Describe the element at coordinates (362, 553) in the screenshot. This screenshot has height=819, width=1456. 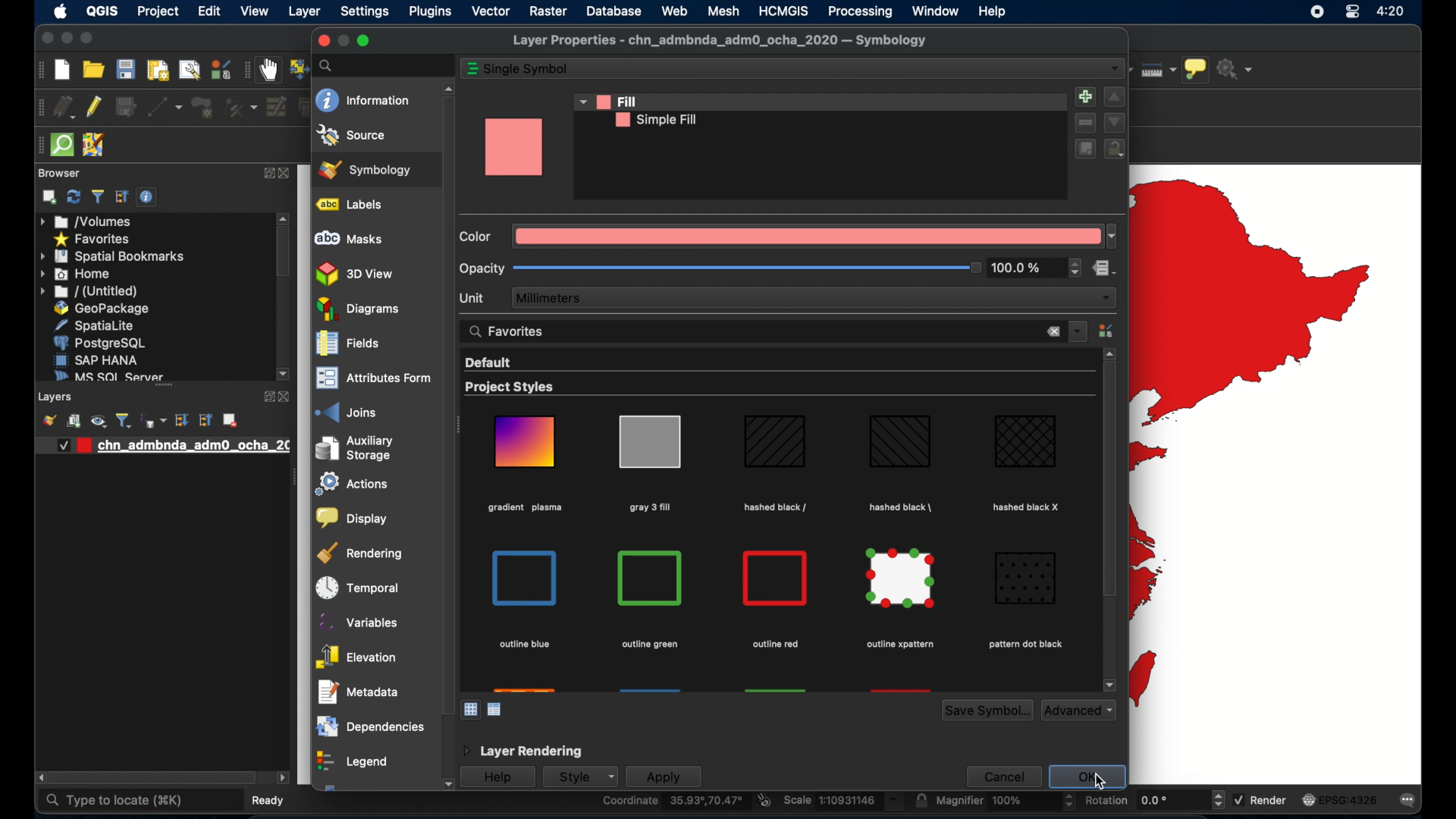
I see `rendering` at that location.